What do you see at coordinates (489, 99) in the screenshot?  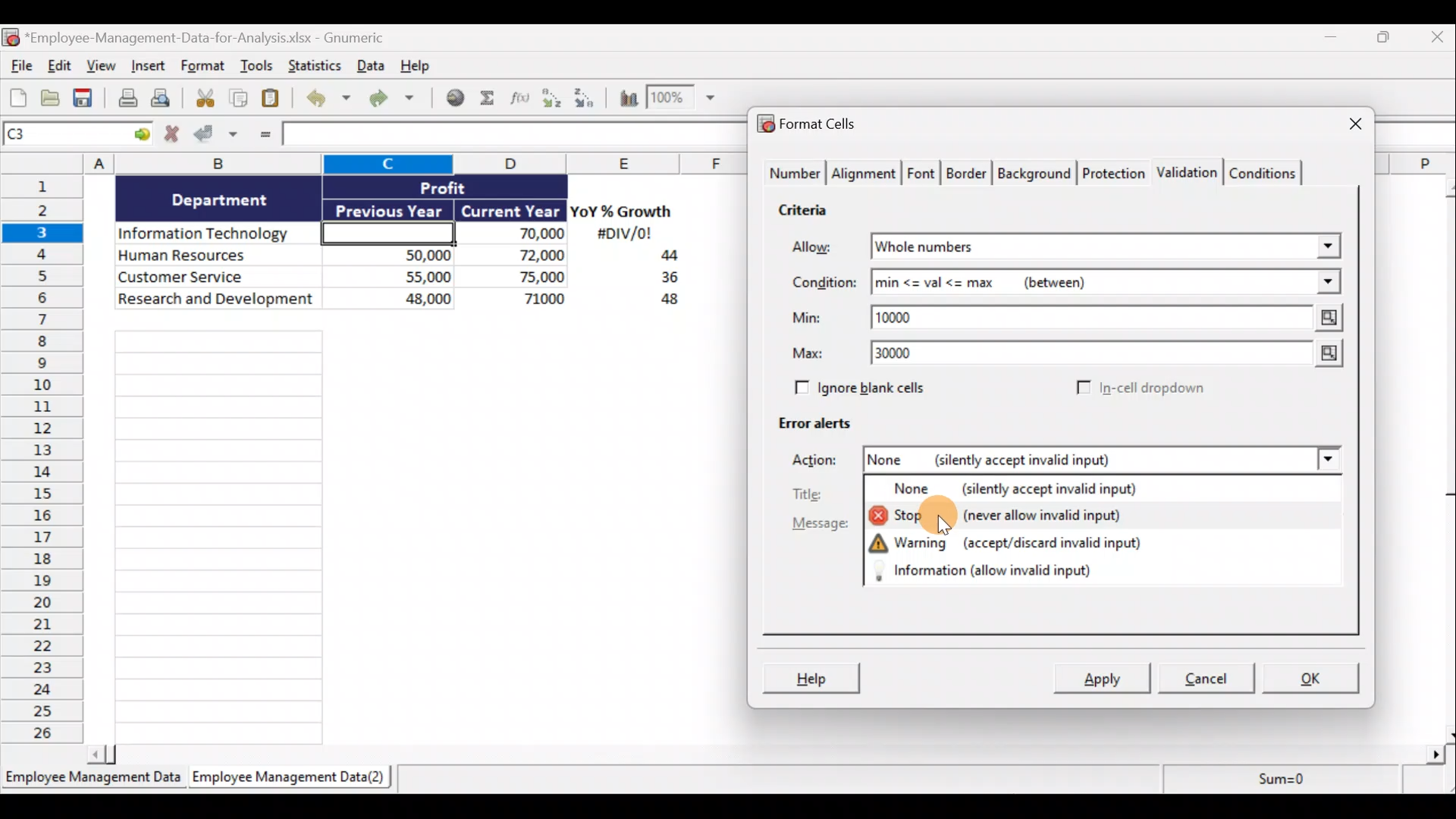 I see `Sum into the current cell` at bounding box center [489, 99].